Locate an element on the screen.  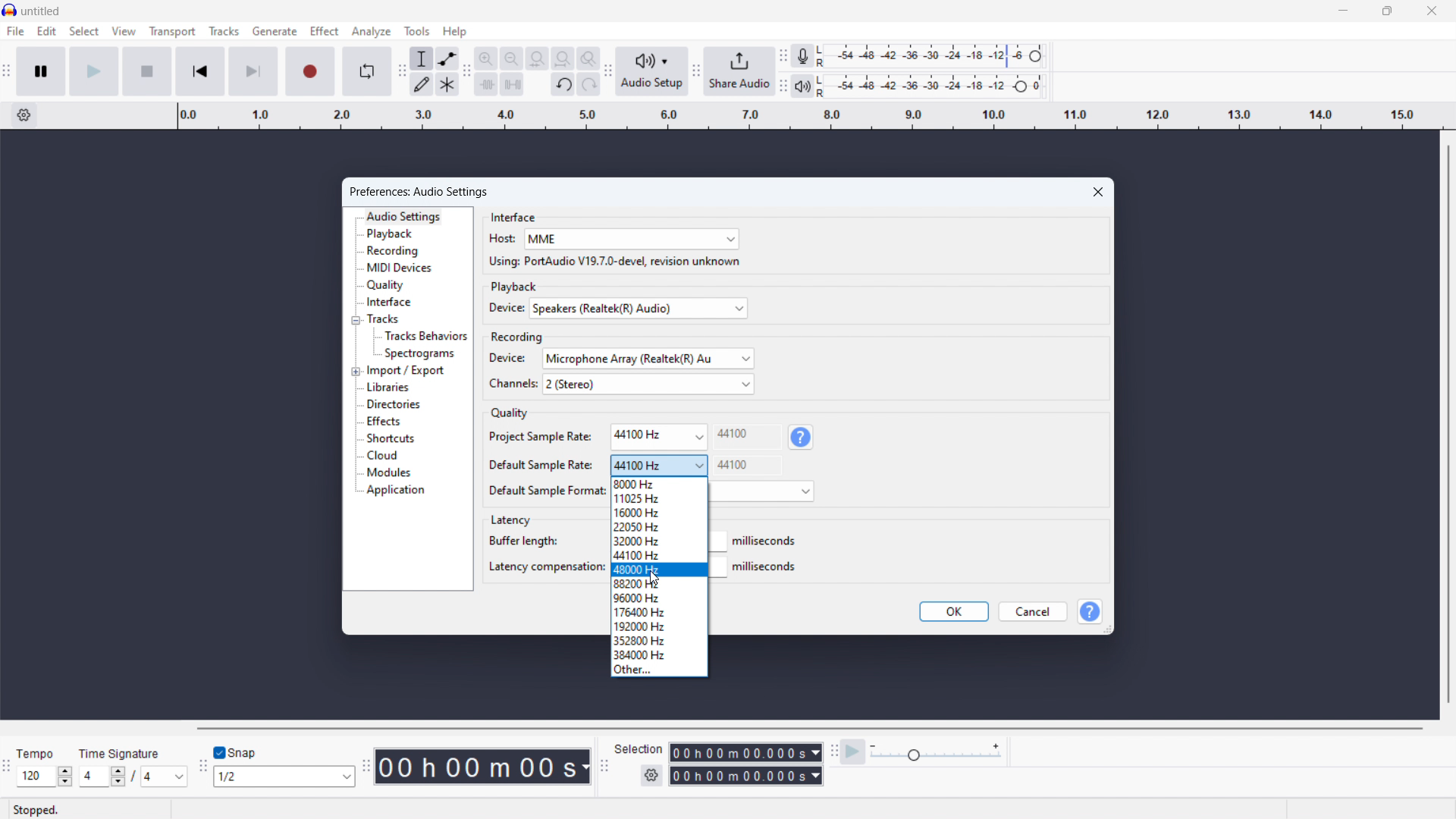
tracks behaviors is located at coordinates (425, 337).